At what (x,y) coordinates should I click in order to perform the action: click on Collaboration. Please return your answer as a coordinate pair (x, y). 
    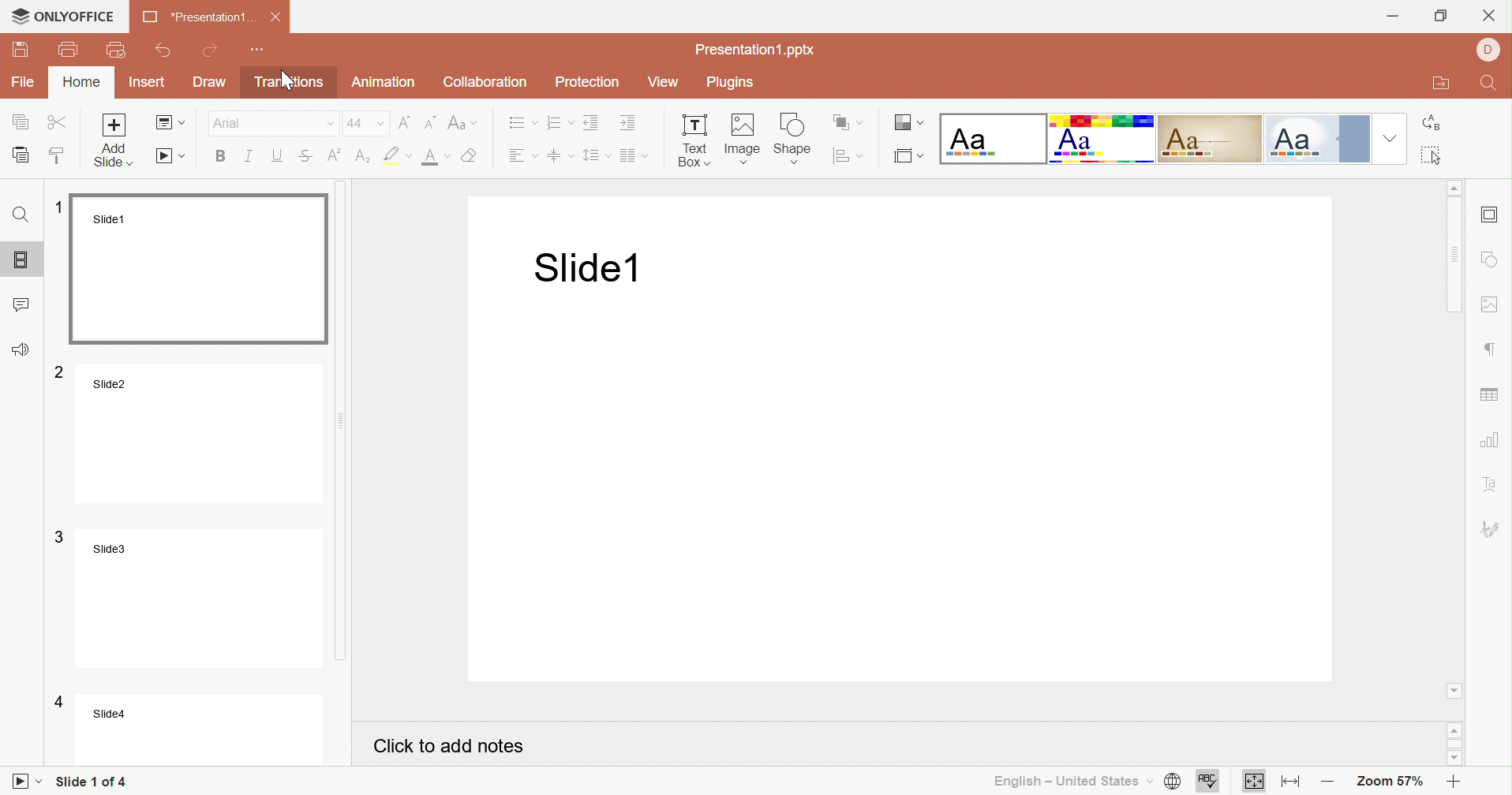
    Looking at the image, I should click on (486, 83).